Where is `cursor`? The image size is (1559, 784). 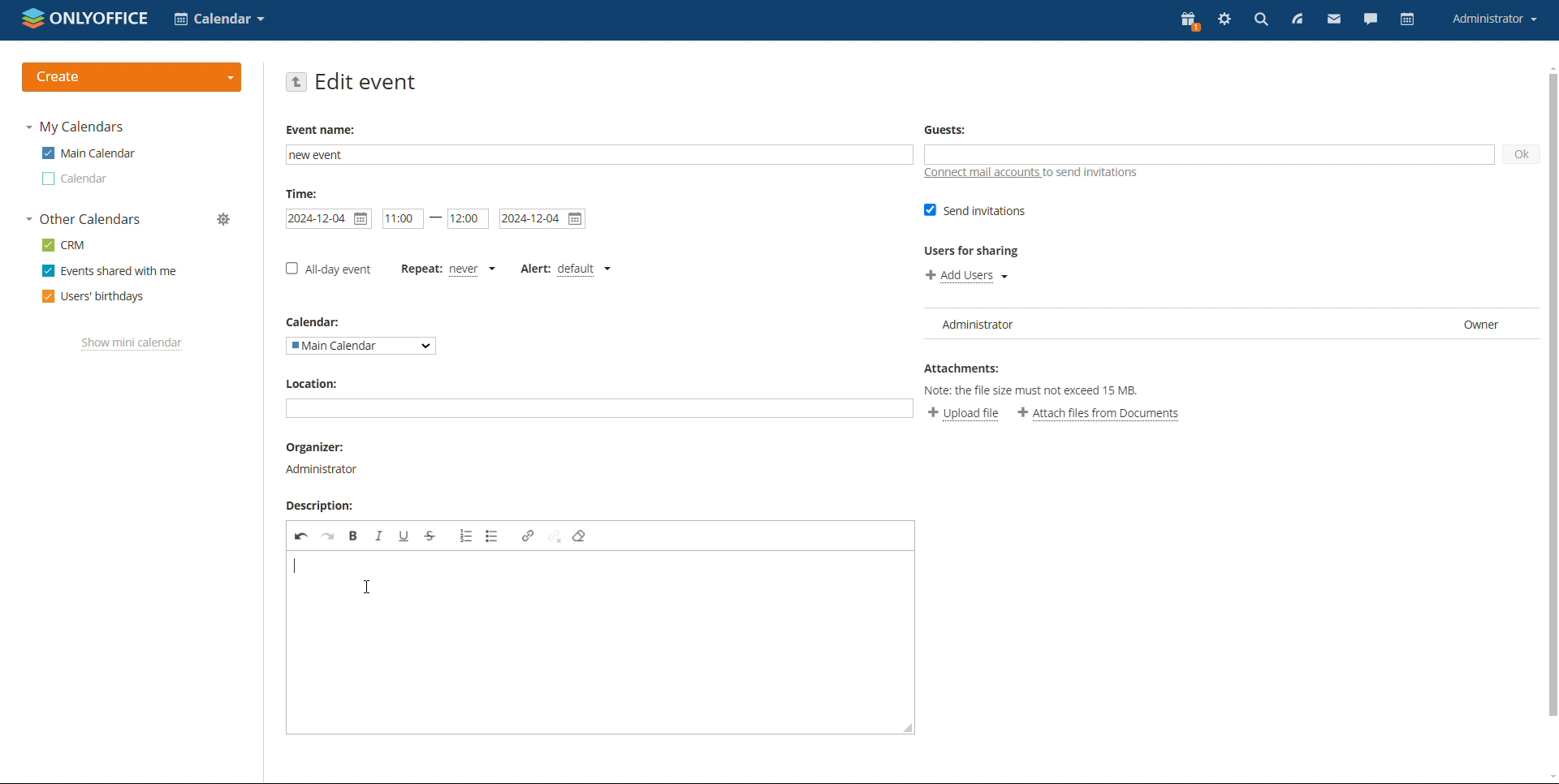 cursor is located at coordinates (369, 587).